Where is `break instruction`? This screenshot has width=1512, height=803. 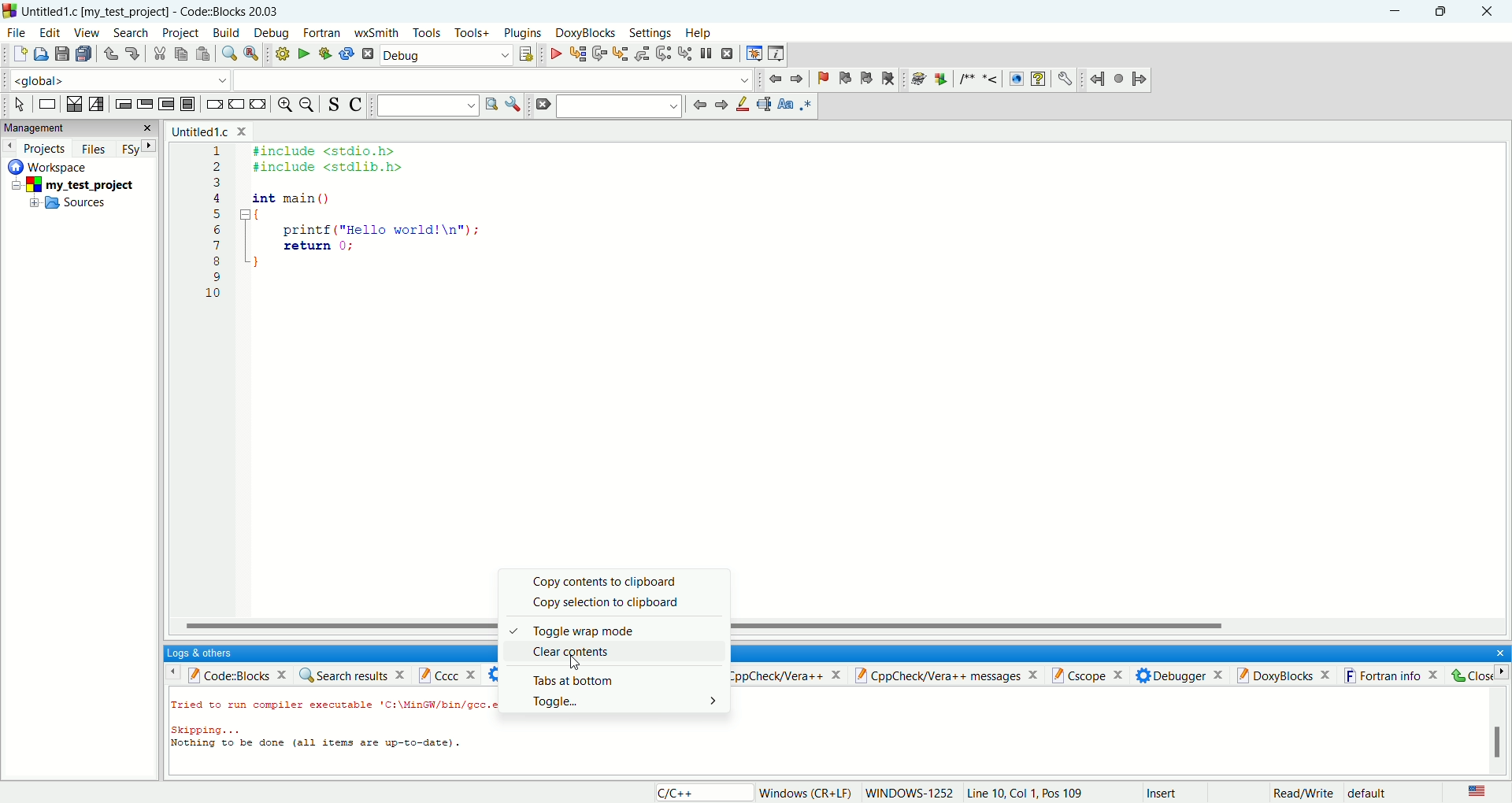 break instruction is located at coordinates (213, 105).